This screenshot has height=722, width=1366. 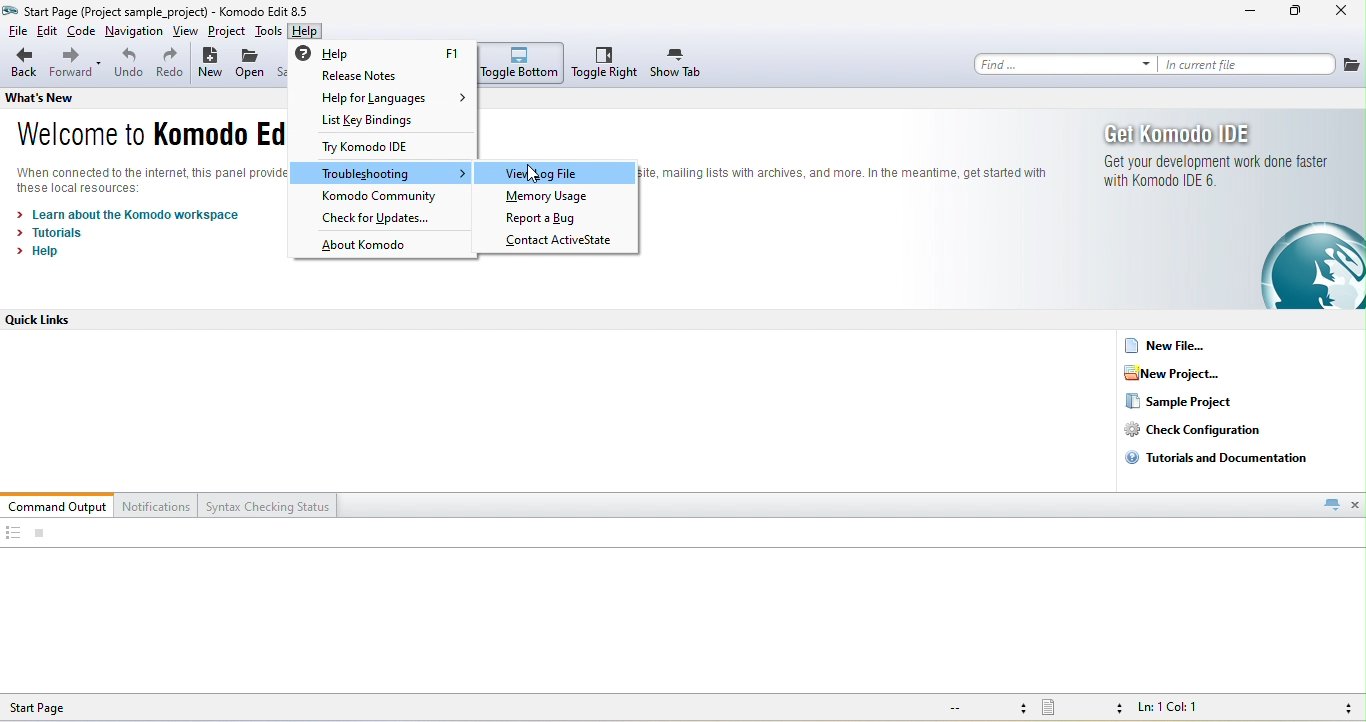 What do you see at coordinates (268, 31) in the screenshot?
I see `tools` at bounding box center [268, 31].